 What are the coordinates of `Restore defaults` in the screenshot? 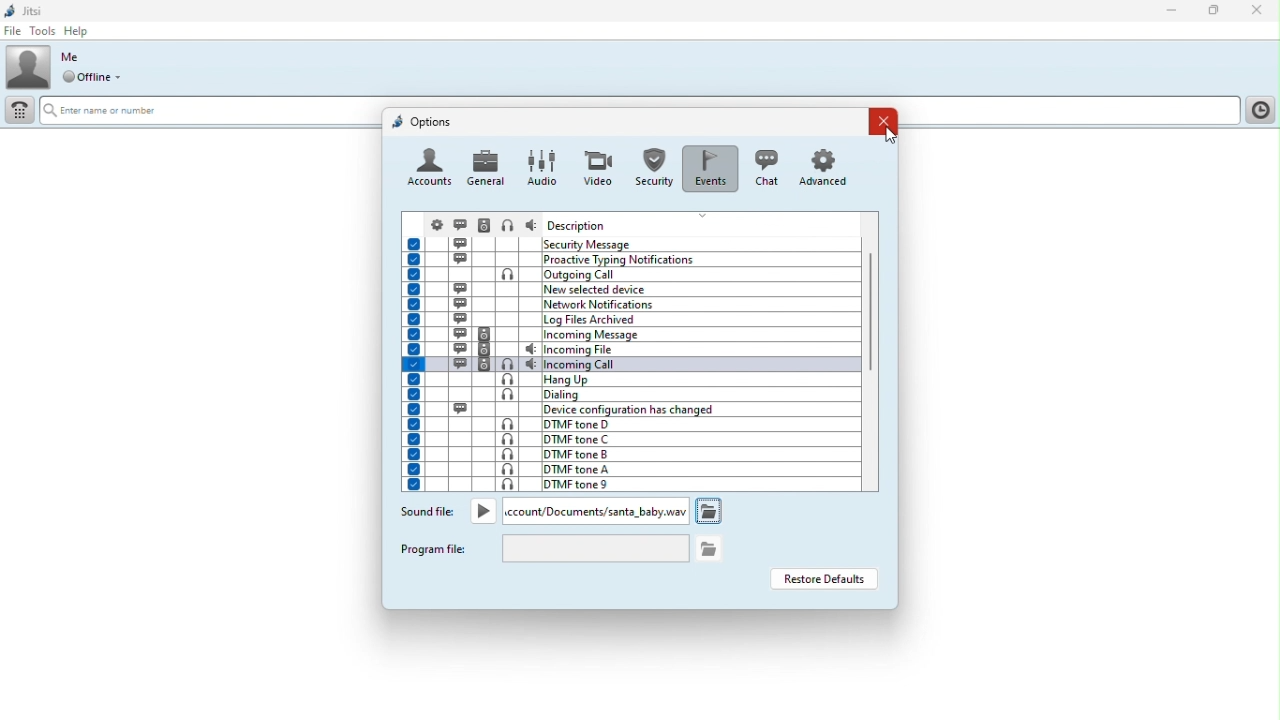 It's located at (823, 579).